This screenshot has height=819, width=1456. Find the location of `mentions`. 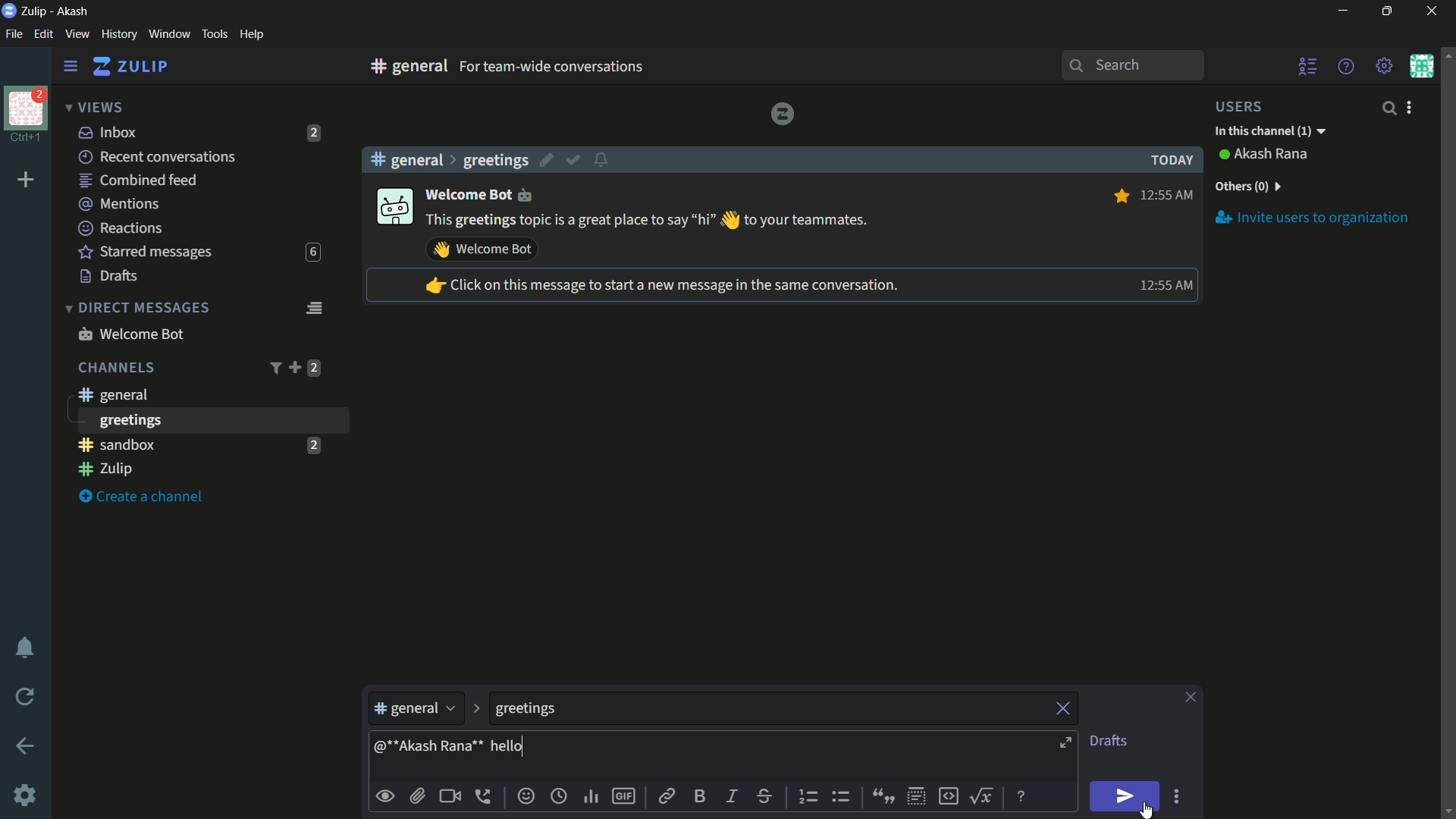

mentions is located at coordinates (121, 205).